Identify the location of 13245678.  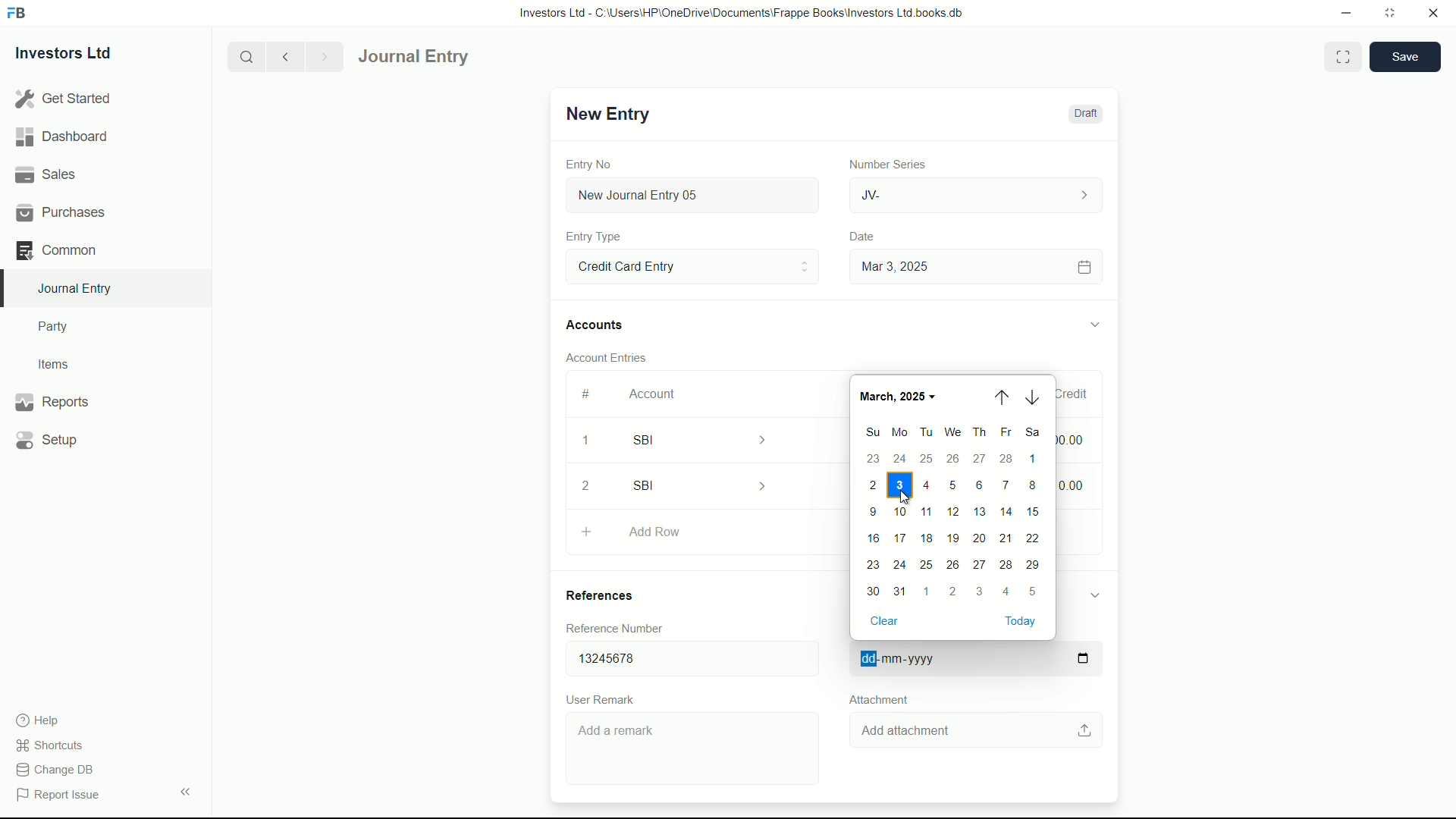
(686, 655).